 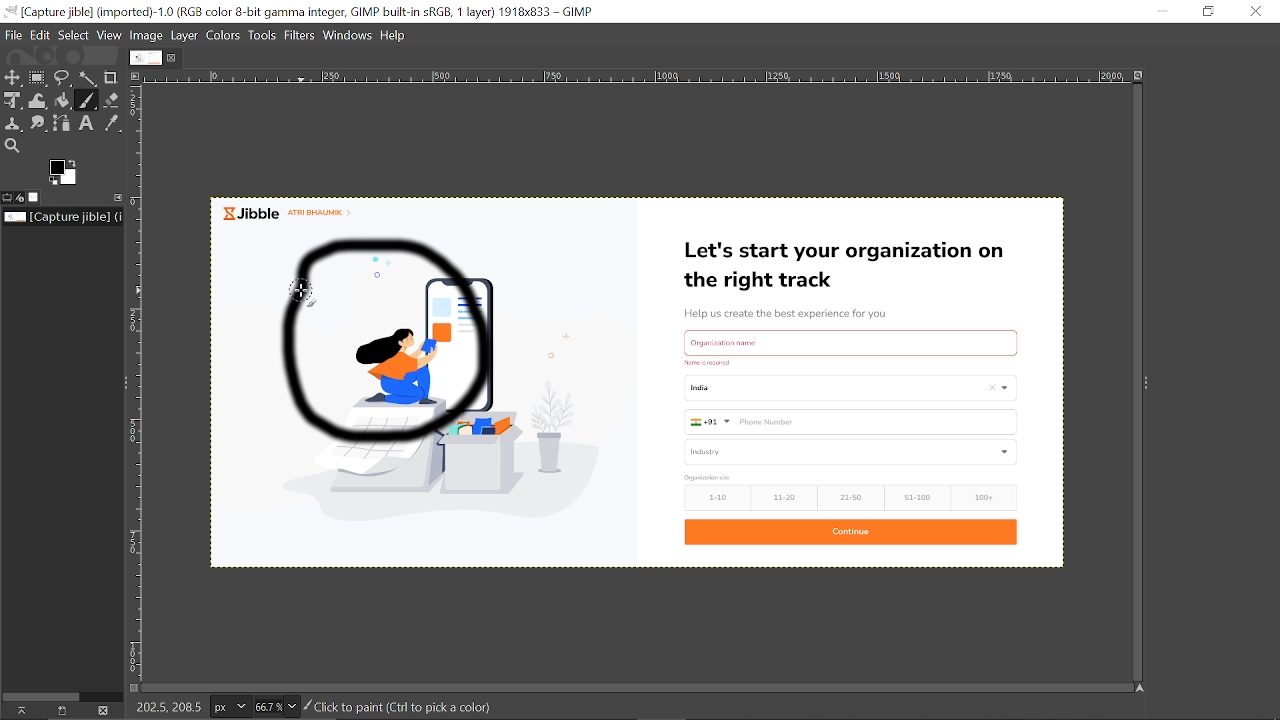 What do you see at coordinates (301, 298) in the screenshot?
I see `paintbrush tool selected ` at bounding box center [301, 298].